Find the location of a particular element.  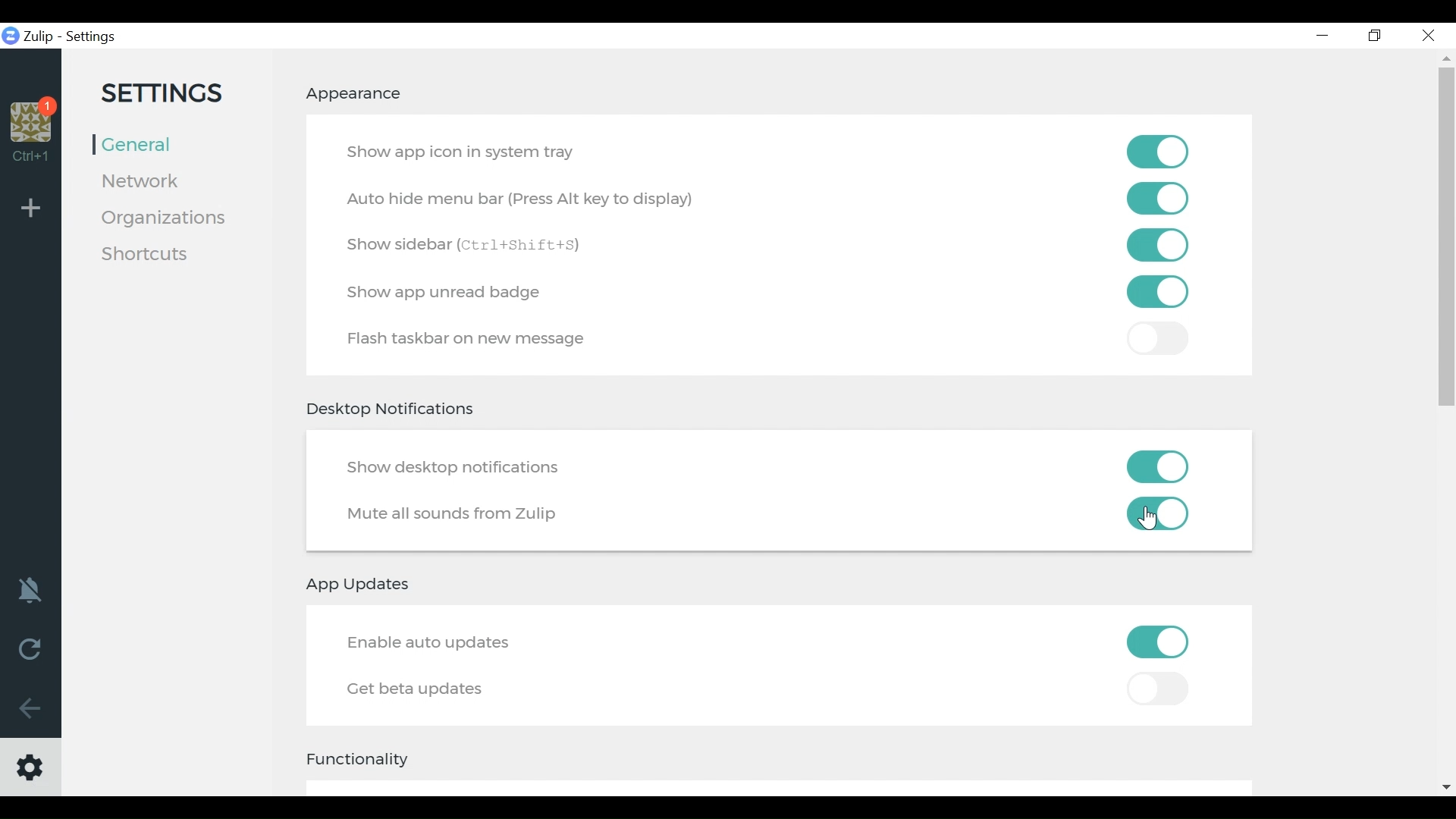

Get better updates is located at coordinates (418, 689).